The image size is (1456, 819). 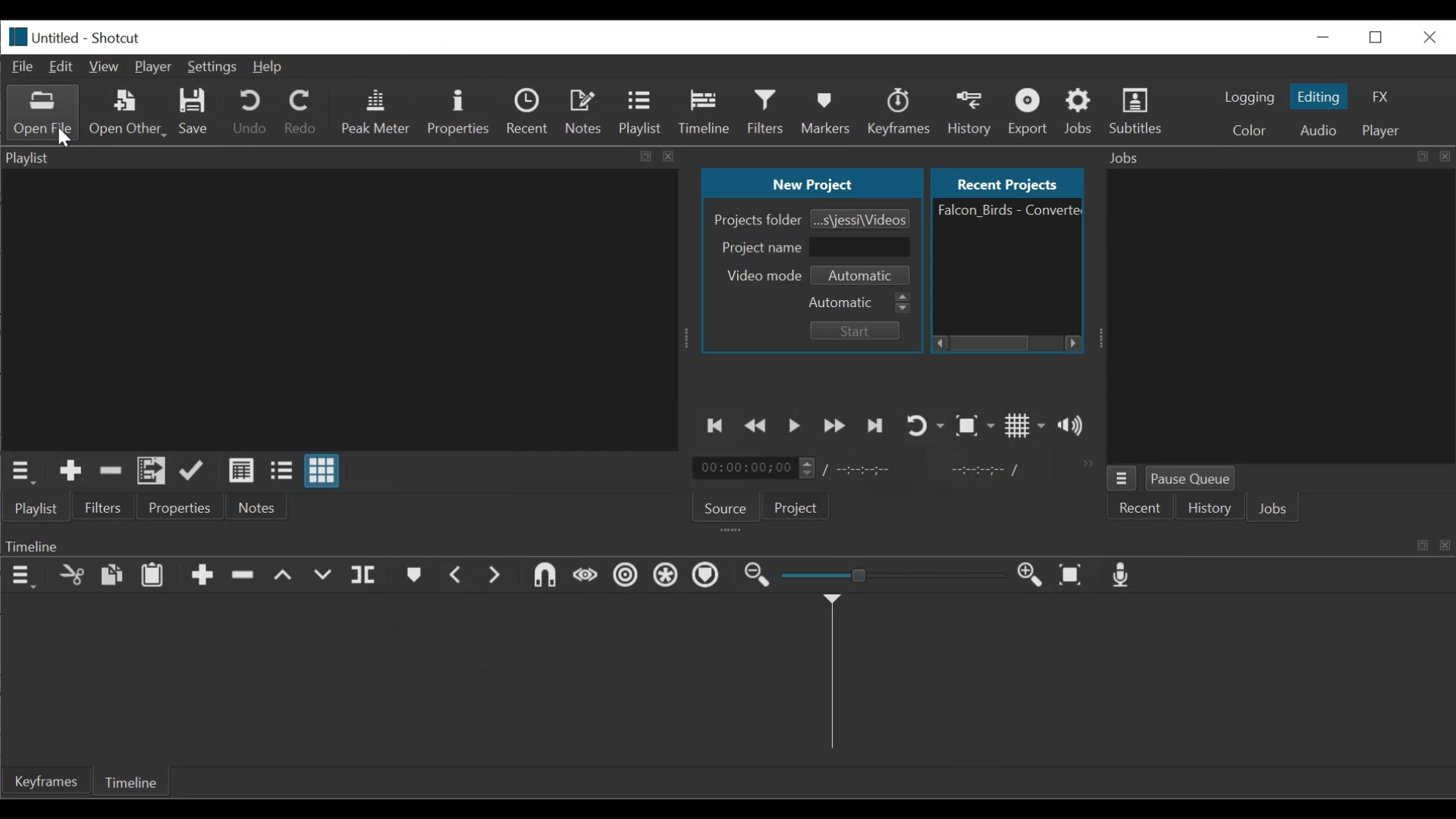 I want to click on Ripple Delete, so click(x=245, y=579).